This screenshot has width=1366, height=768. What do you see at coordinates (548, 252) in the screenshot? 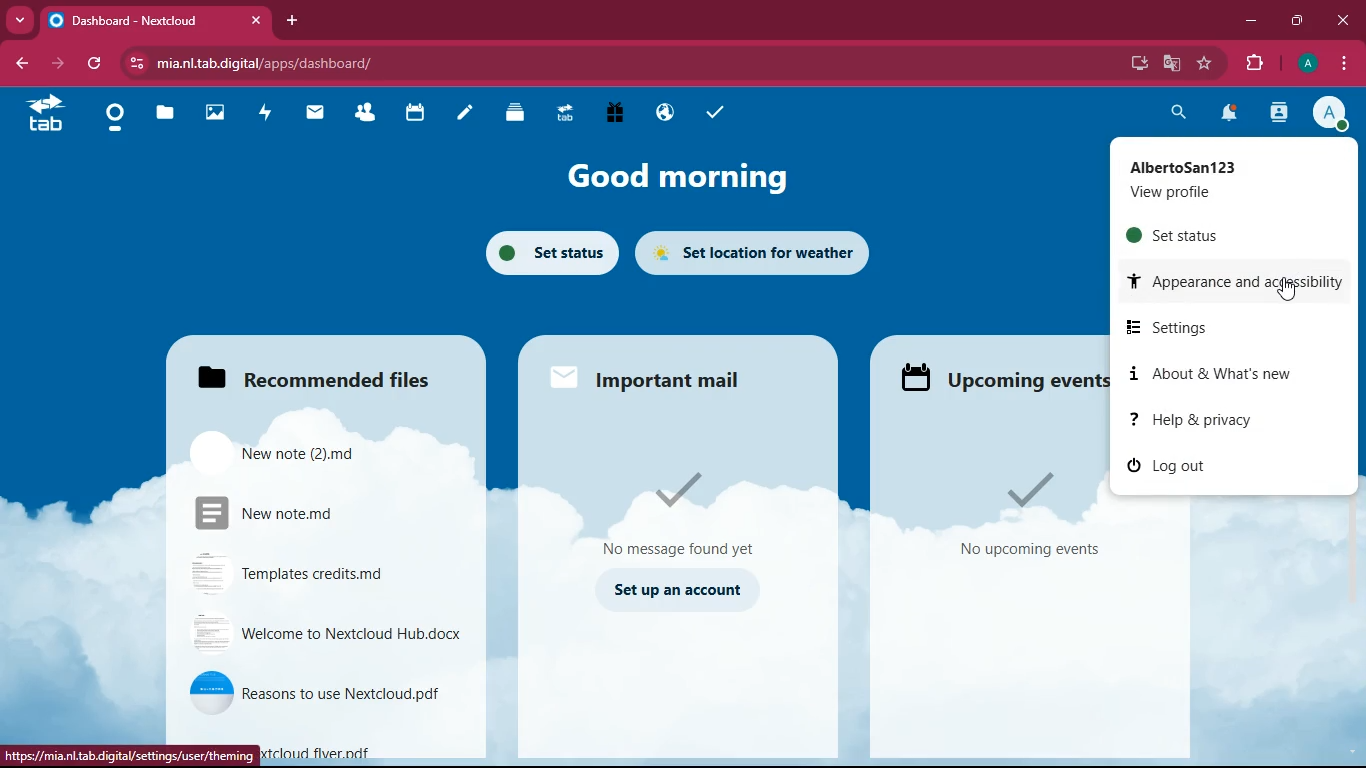
I see `set status` at bounding box center [548, 252].